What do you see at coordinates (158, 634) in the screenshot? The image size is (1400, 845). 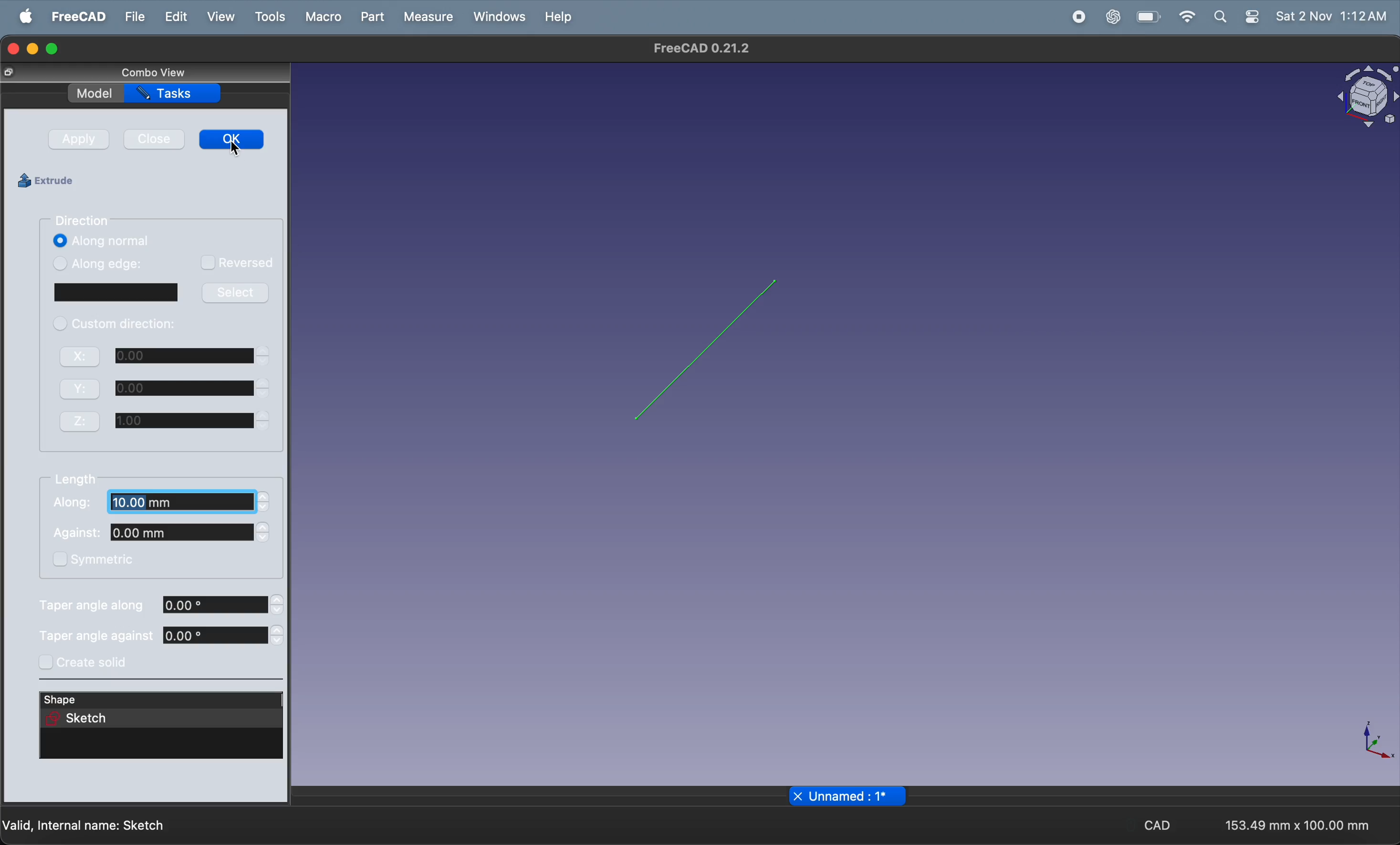 I see `taper angle against  0.00` at bounding box center [158, 634].